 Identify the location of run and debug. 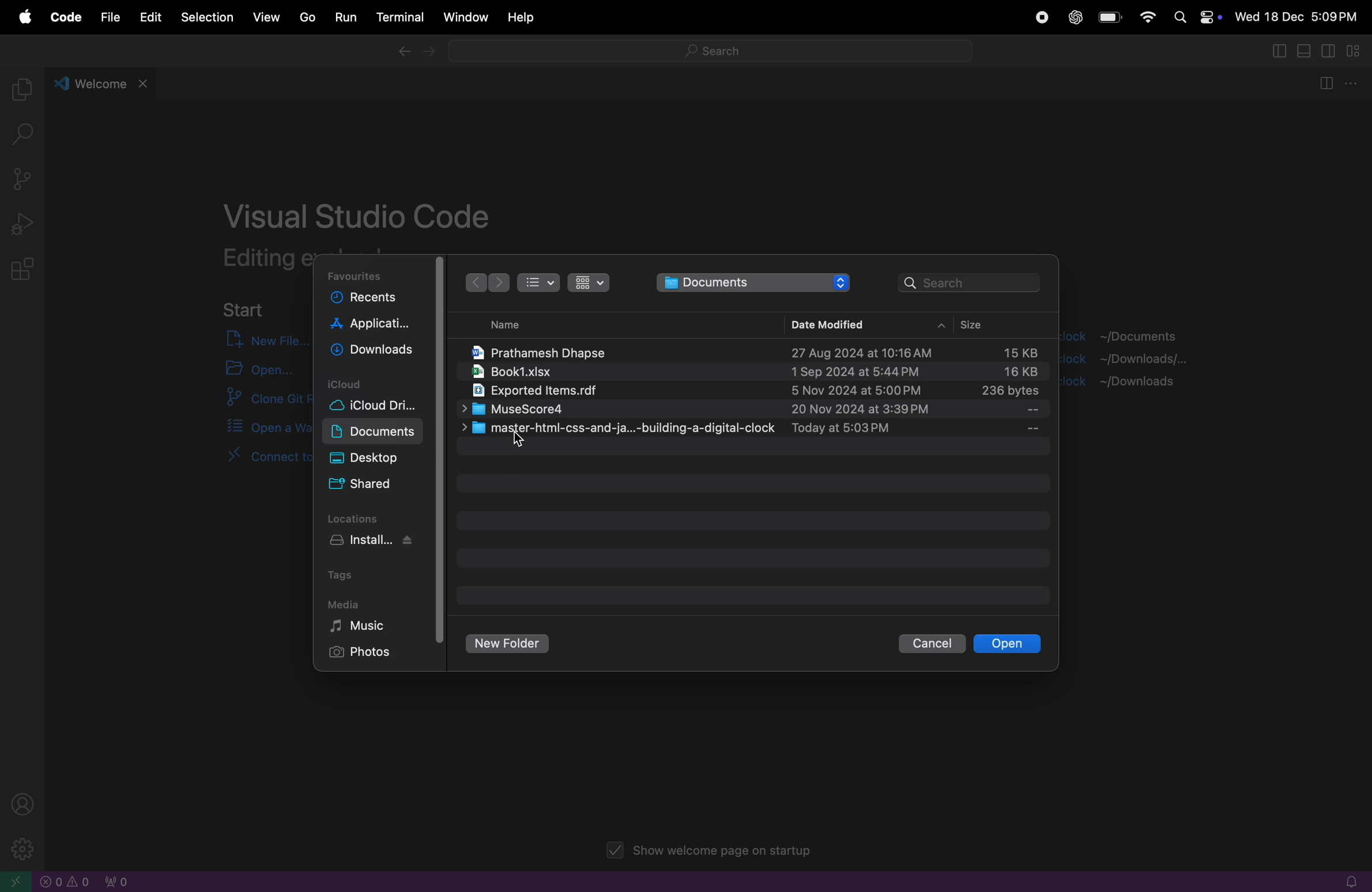
(24, 224).